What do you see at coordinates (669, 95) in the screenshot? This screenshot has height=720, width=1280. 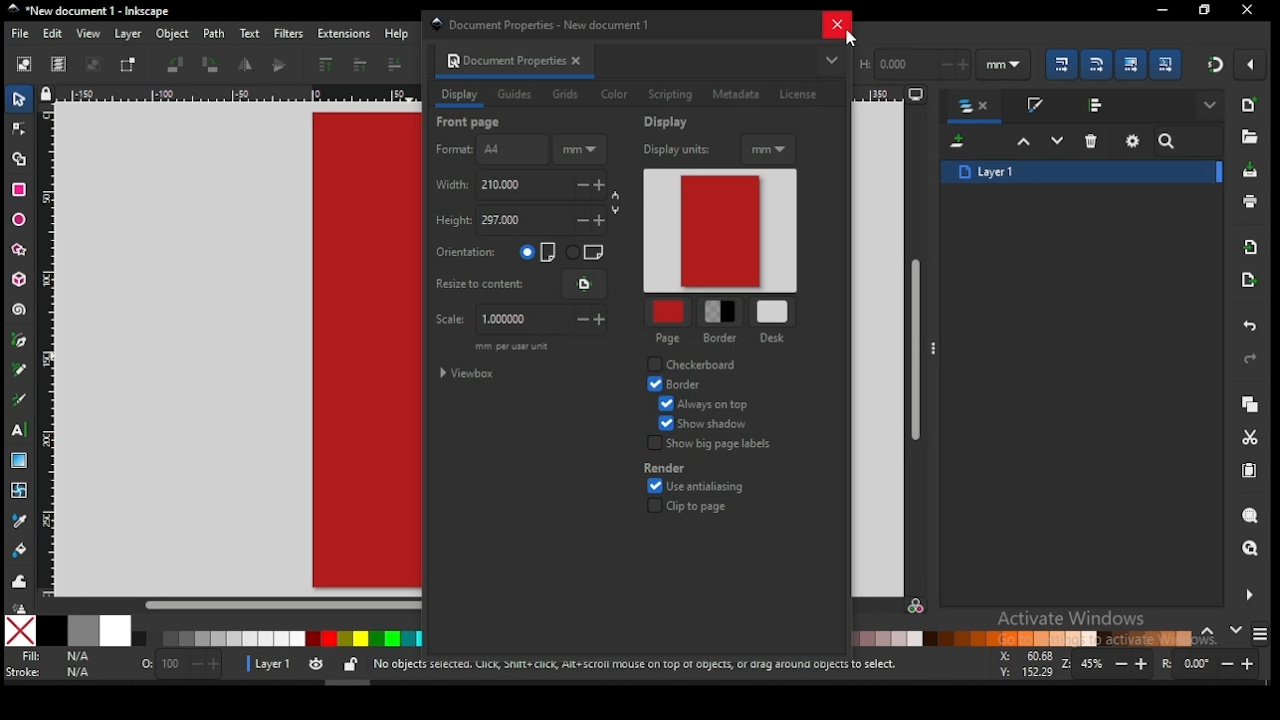 I see `scripting` at bounding box center [669, 95].